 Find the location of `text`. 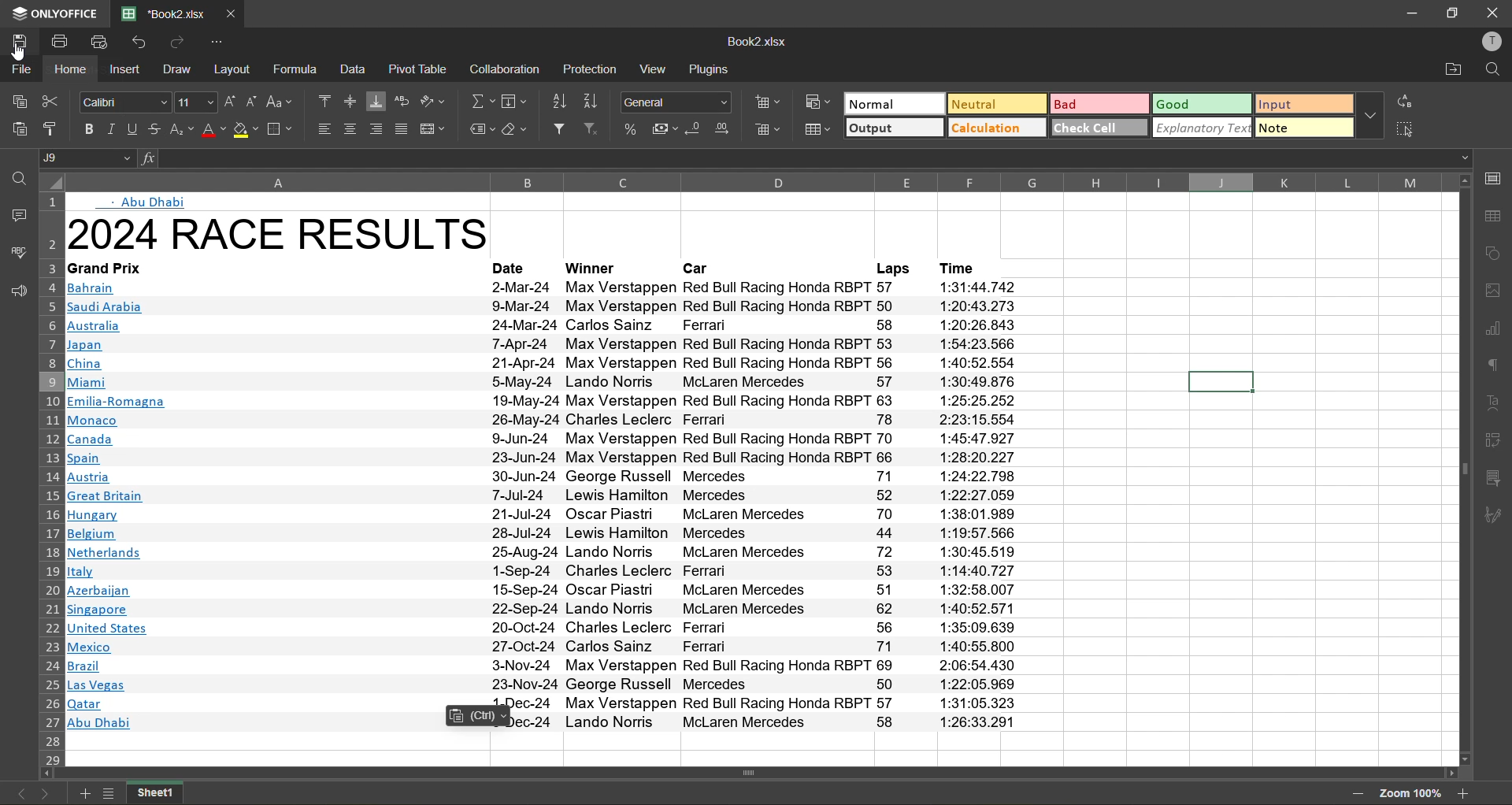

text is located at coordinates (113, 267).